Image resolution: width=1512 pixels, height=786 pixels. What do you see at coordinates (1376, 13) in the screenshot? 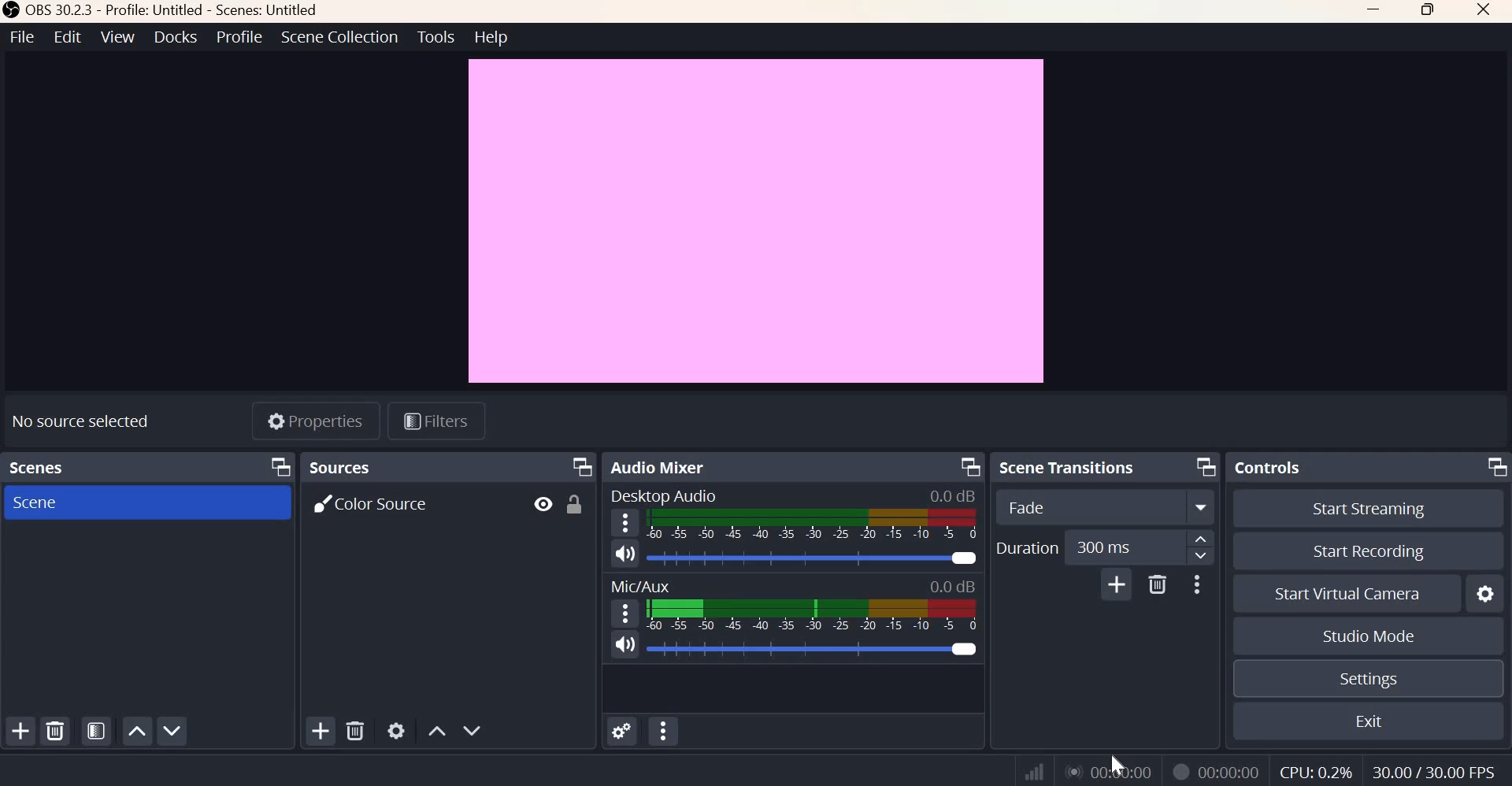
I see `Minimize` at bounding box center [1376, 13].